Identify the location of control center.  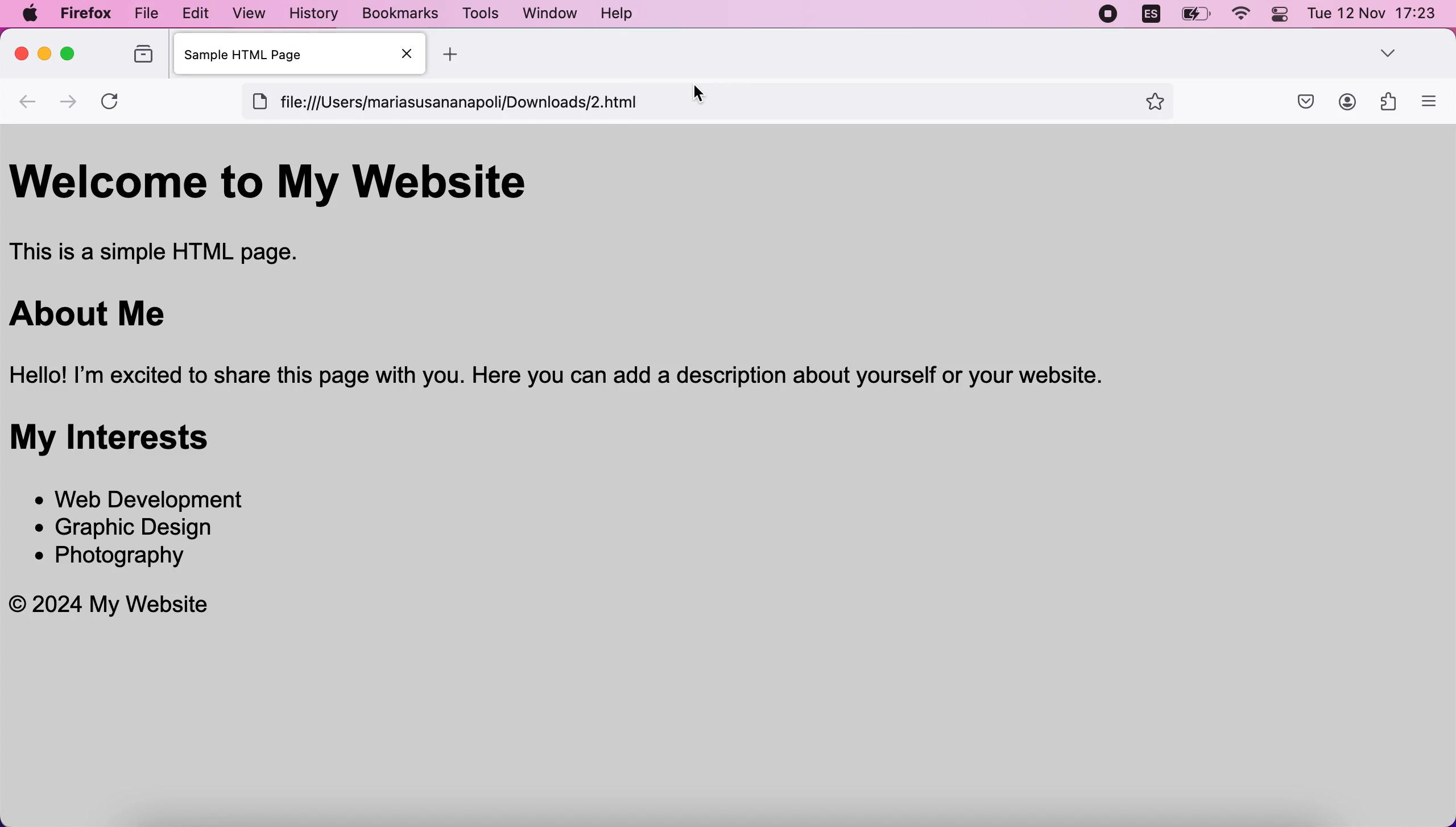
(1279, 16).